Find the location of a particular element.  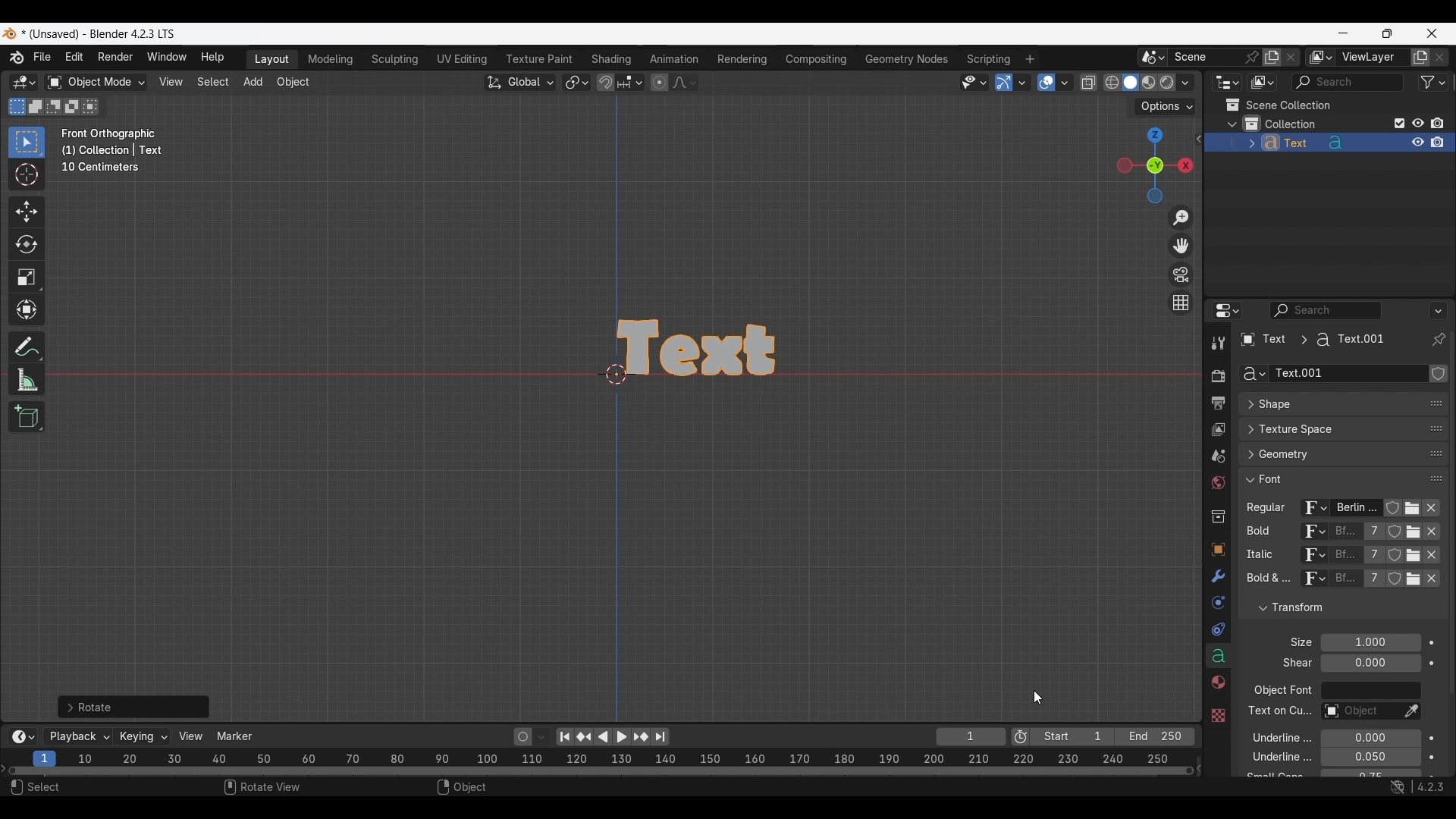

Play animation is located at coordinates (611, 737).